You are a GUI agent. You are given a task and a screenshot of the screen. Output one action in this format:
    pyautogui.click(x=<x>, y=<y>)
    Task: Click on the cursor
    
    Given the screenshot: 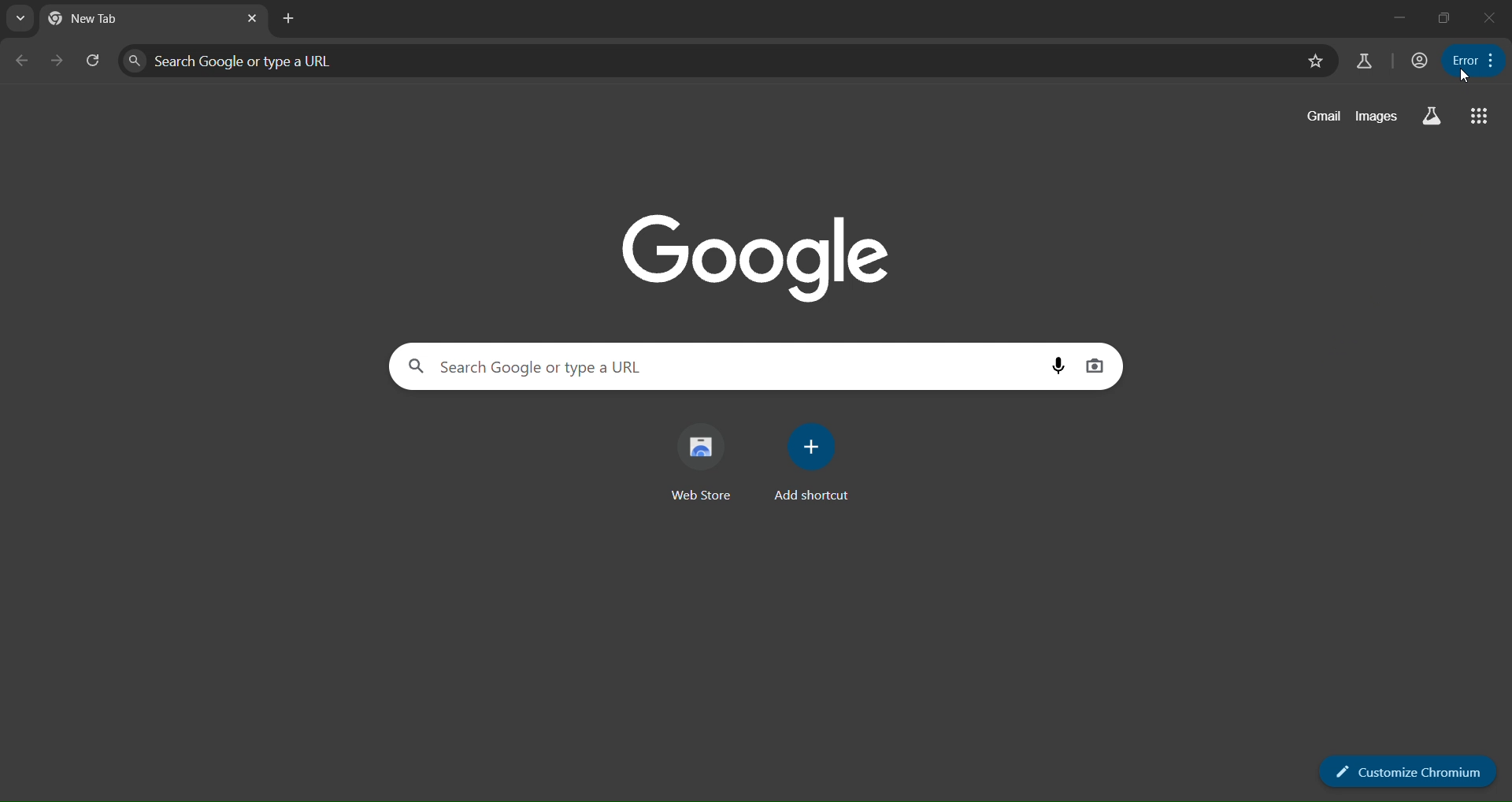 What is the action you would take?
    pyautogui.click(x=1470, y=75)
    